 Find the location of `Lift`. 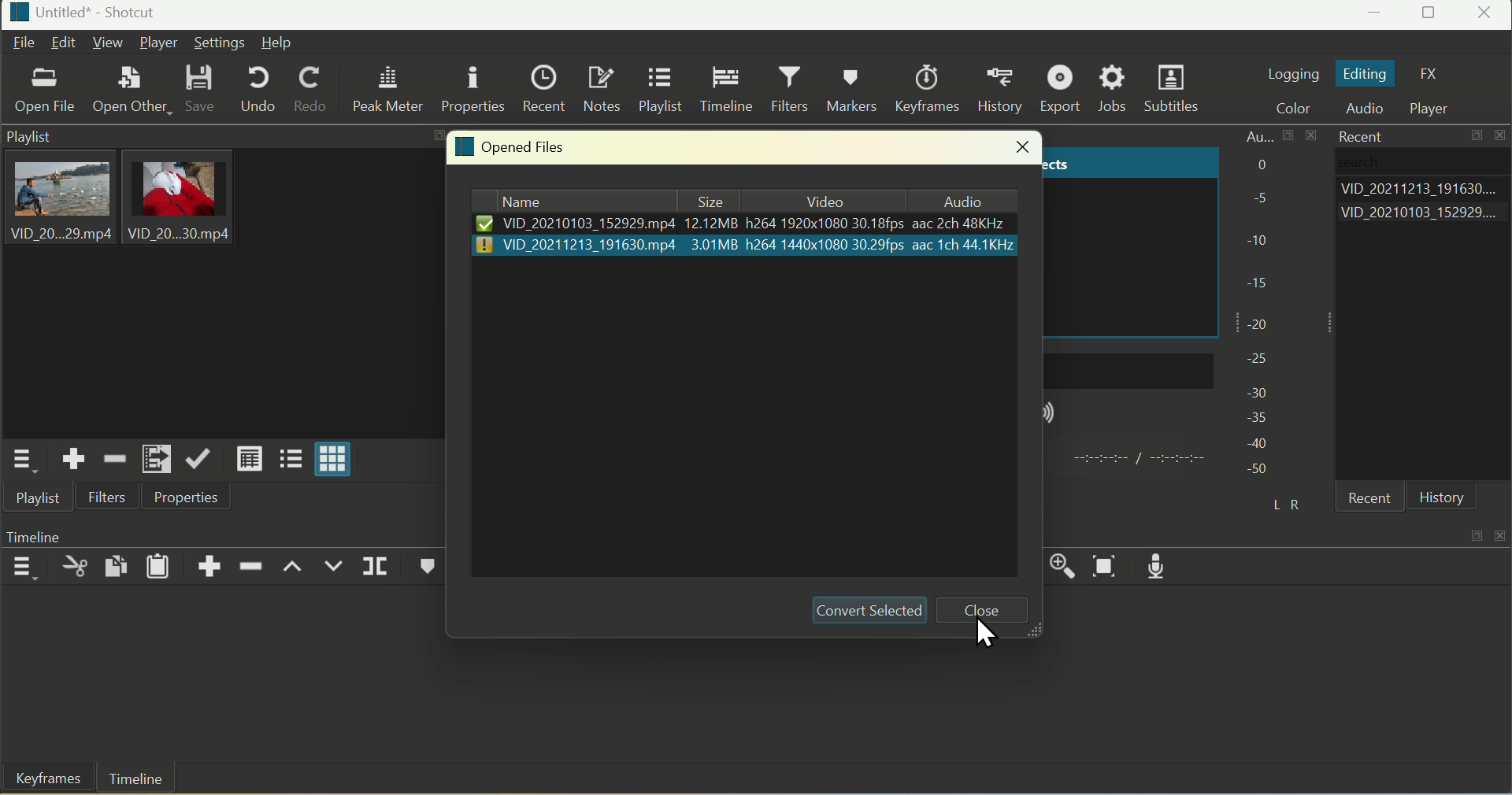

Lift is located at coordinates (294, 569).